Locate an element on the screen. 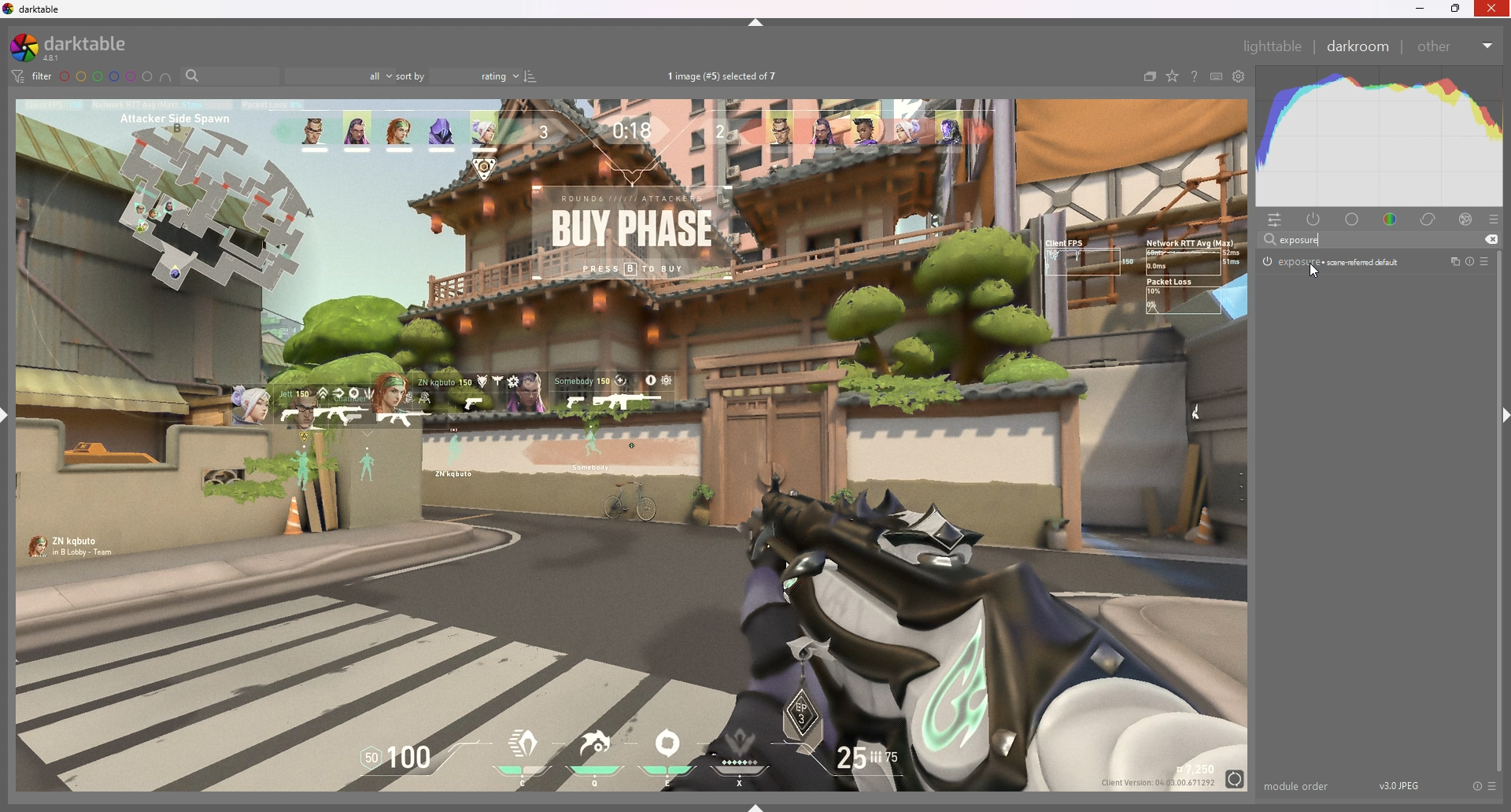  darktable is located at coordinates (79, 47).